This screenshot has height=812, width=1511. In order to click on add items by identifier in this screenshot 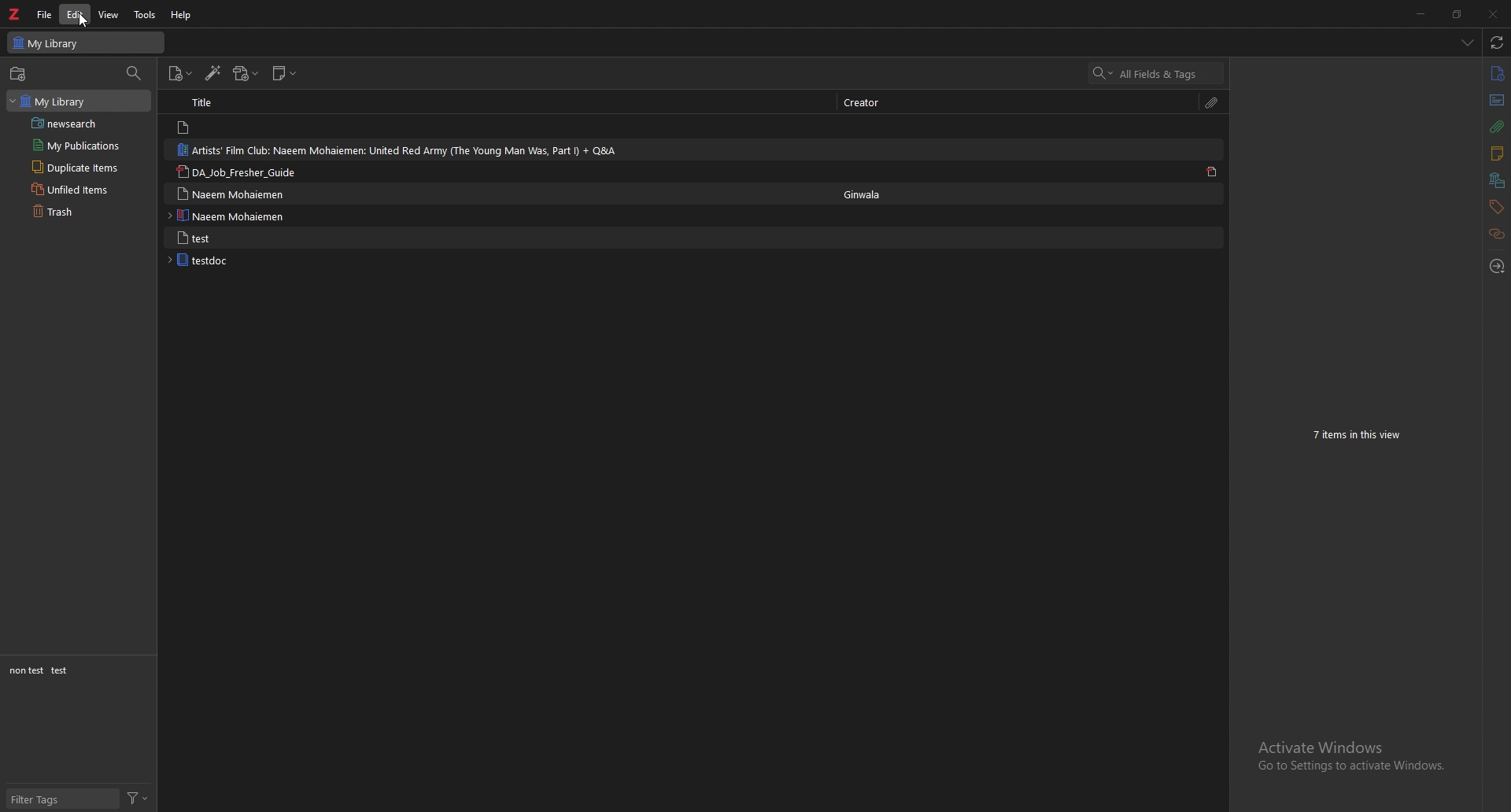, I will do `click(215, 74)`.